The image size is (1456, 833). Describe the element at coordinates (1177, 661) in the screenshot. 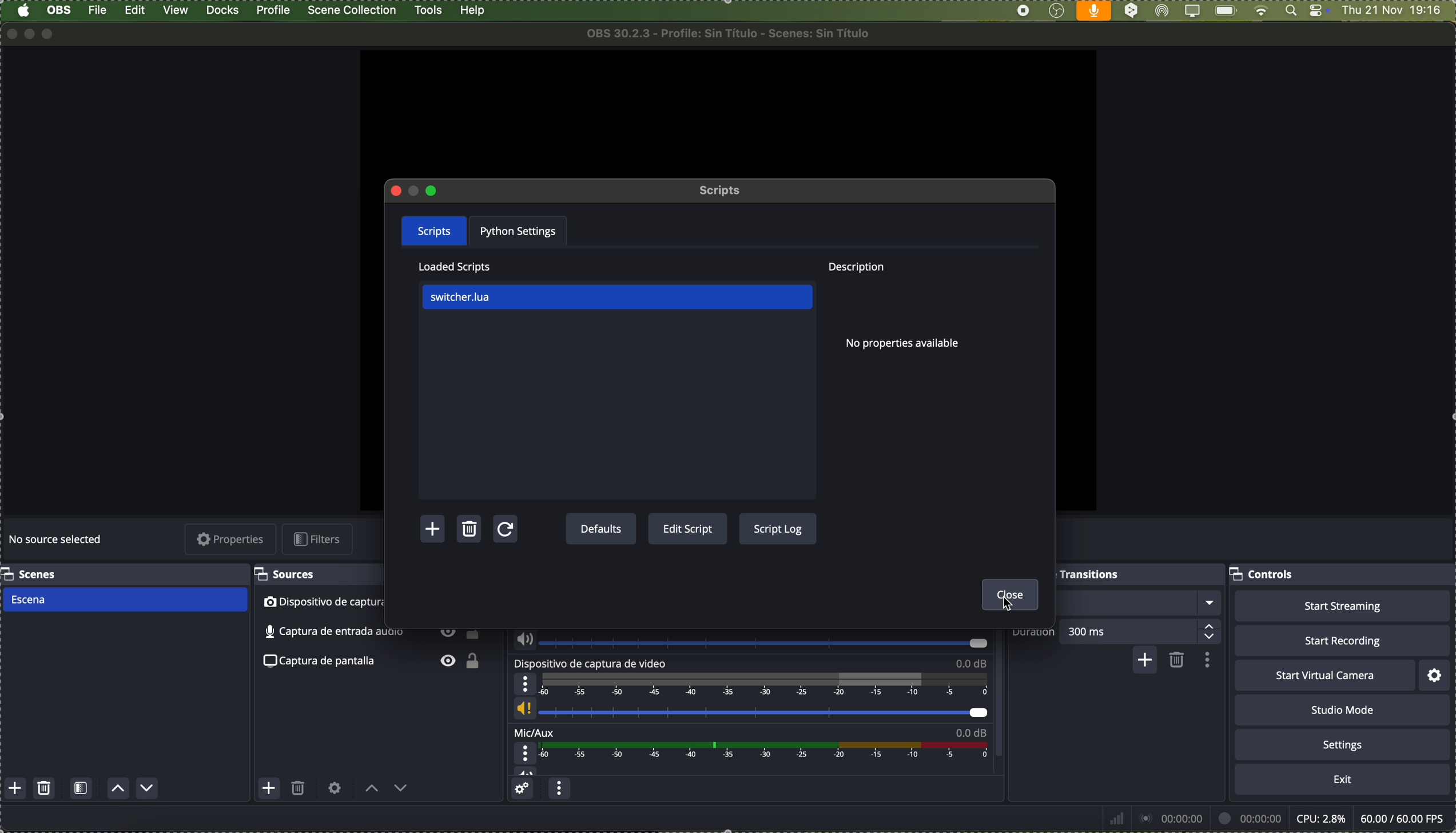

I see `remove` at that location.